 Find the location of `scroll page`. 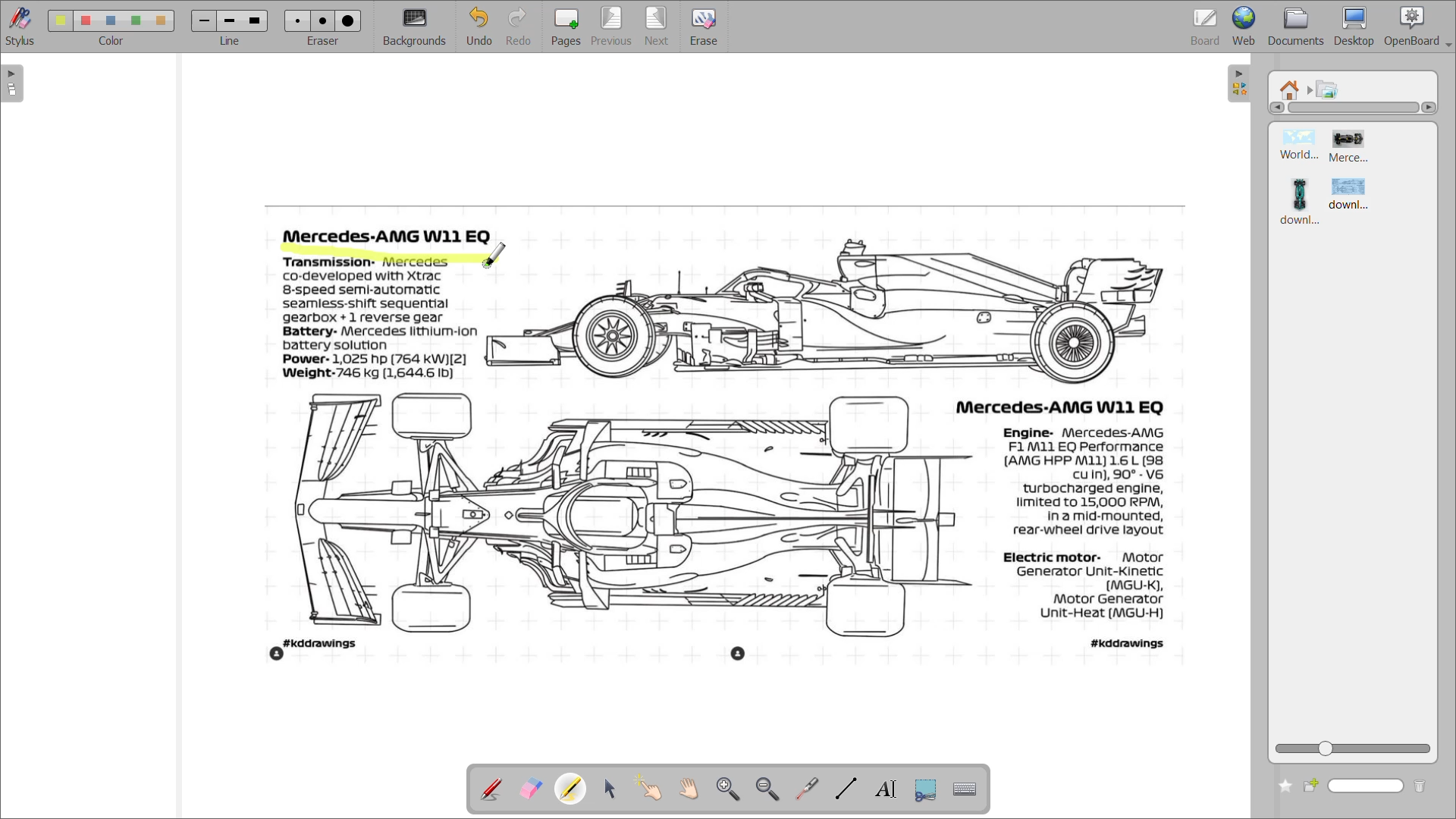

scroll page is located at coordinates (692, 787).